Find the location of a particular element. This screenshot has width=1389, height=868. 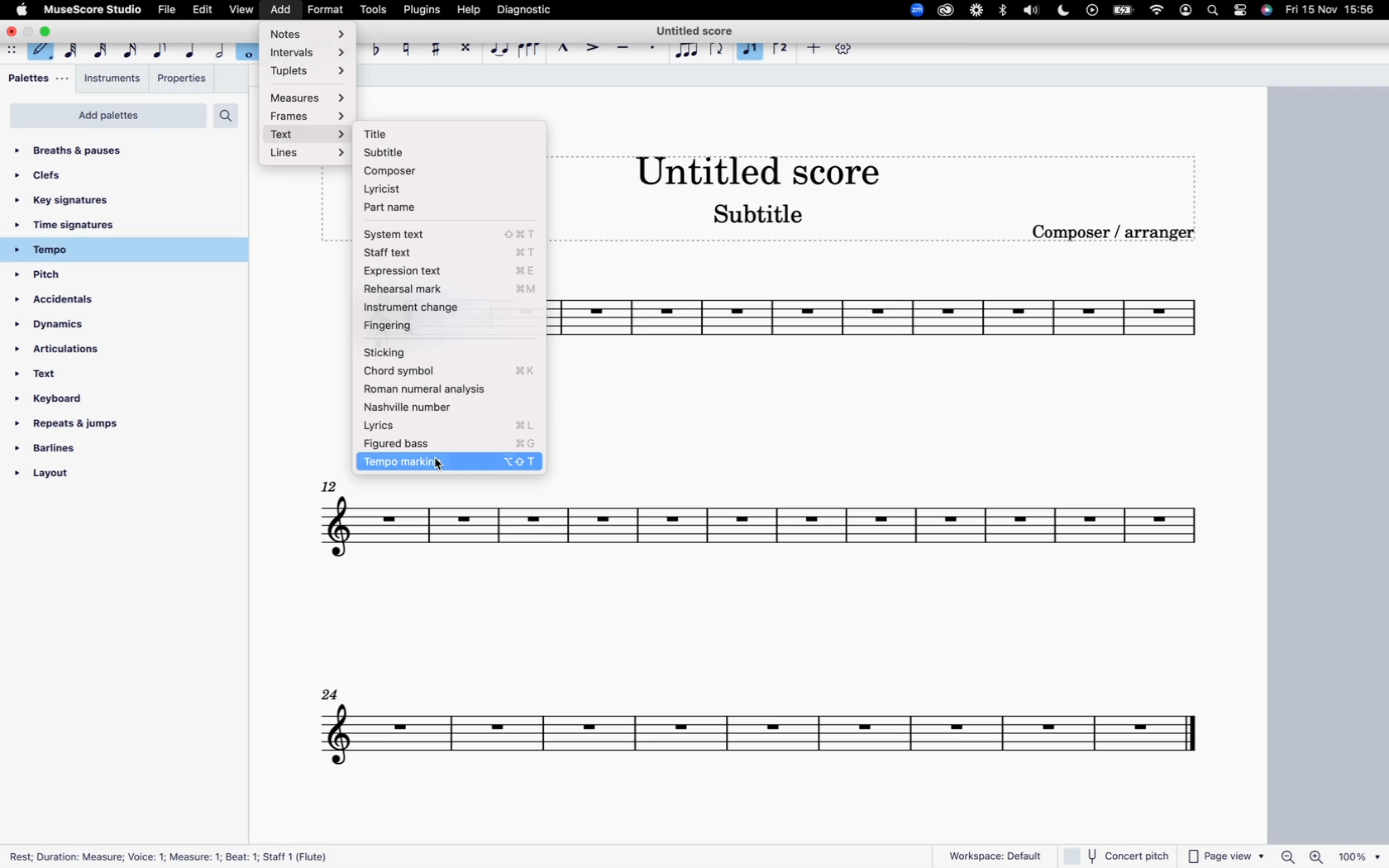

lines is located at coordinates (310, 154).